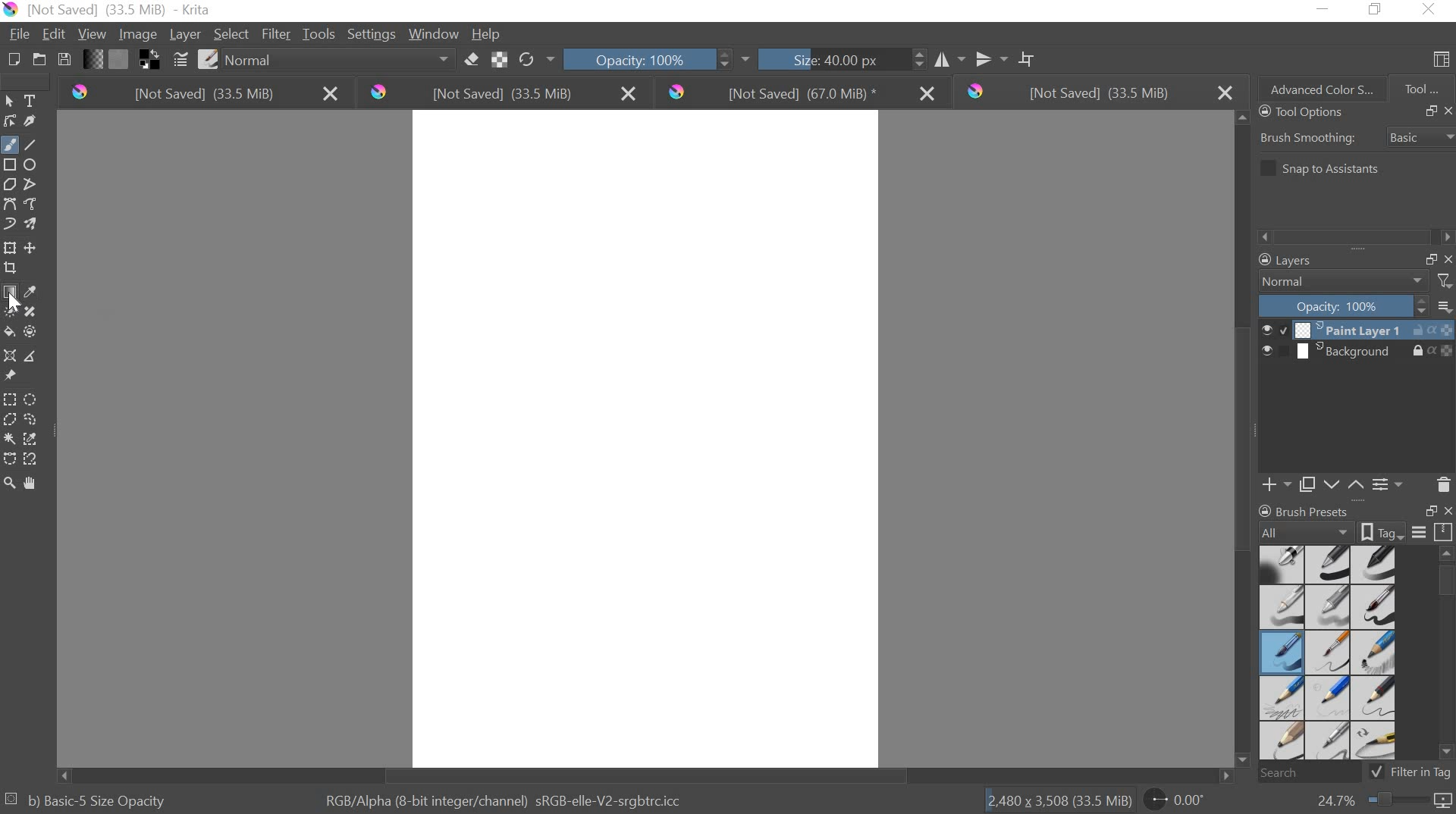  Describe the element at coordinates (10, 458) in the screenshot. I see `bezier curve` at that location.